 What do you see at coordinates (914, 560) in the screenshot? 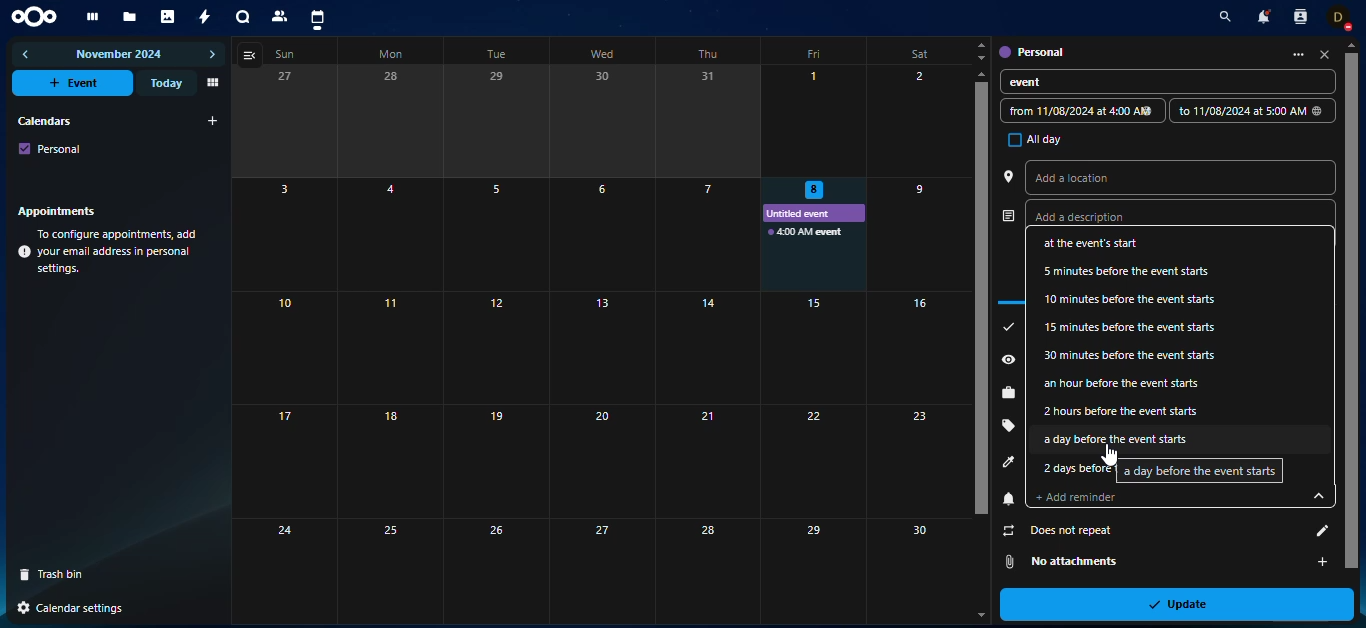
I see `30` at bounding box center [914, 560].